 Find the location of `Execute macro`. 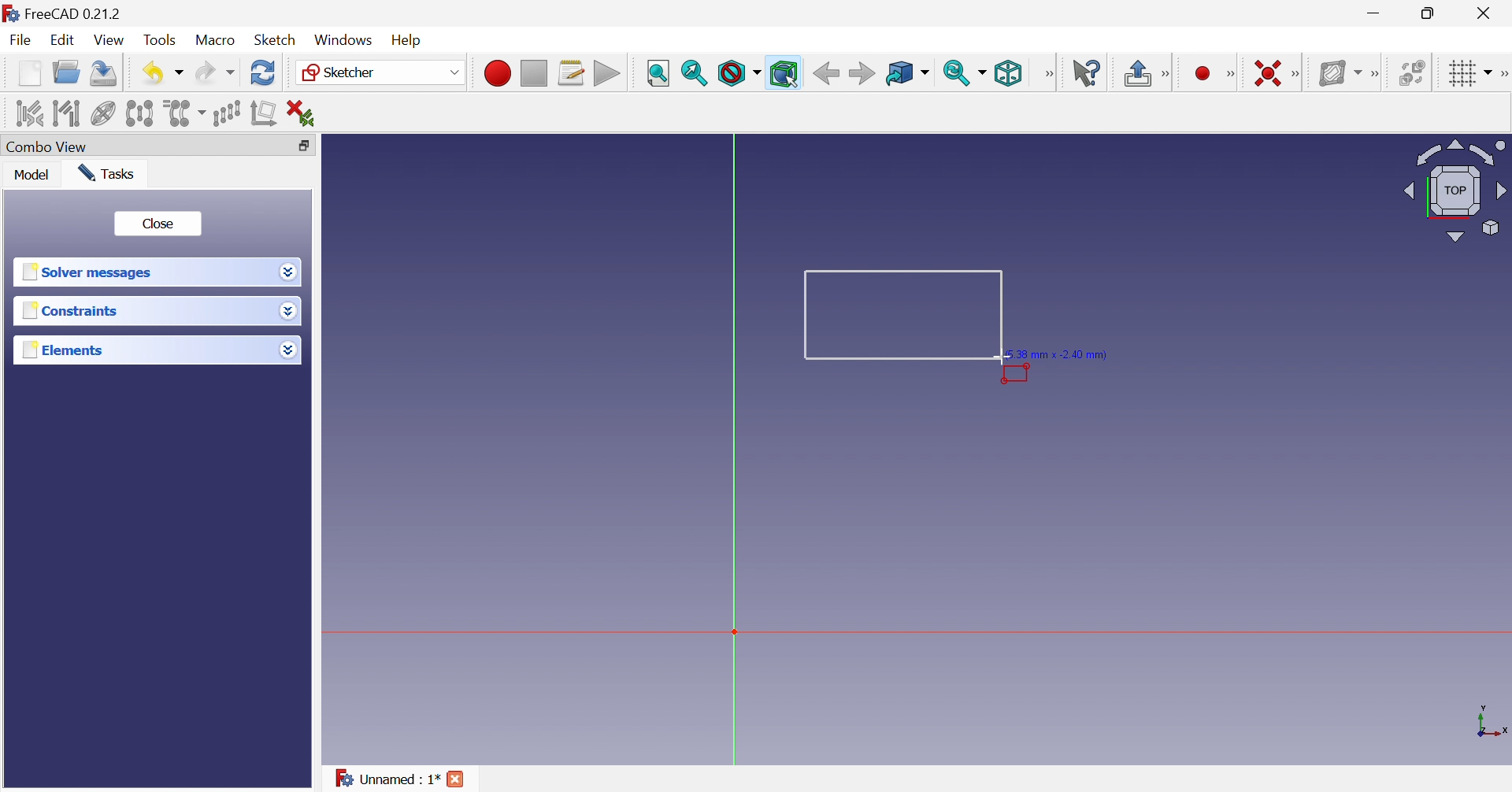

Execute macro is located at coordinates (607, 74).